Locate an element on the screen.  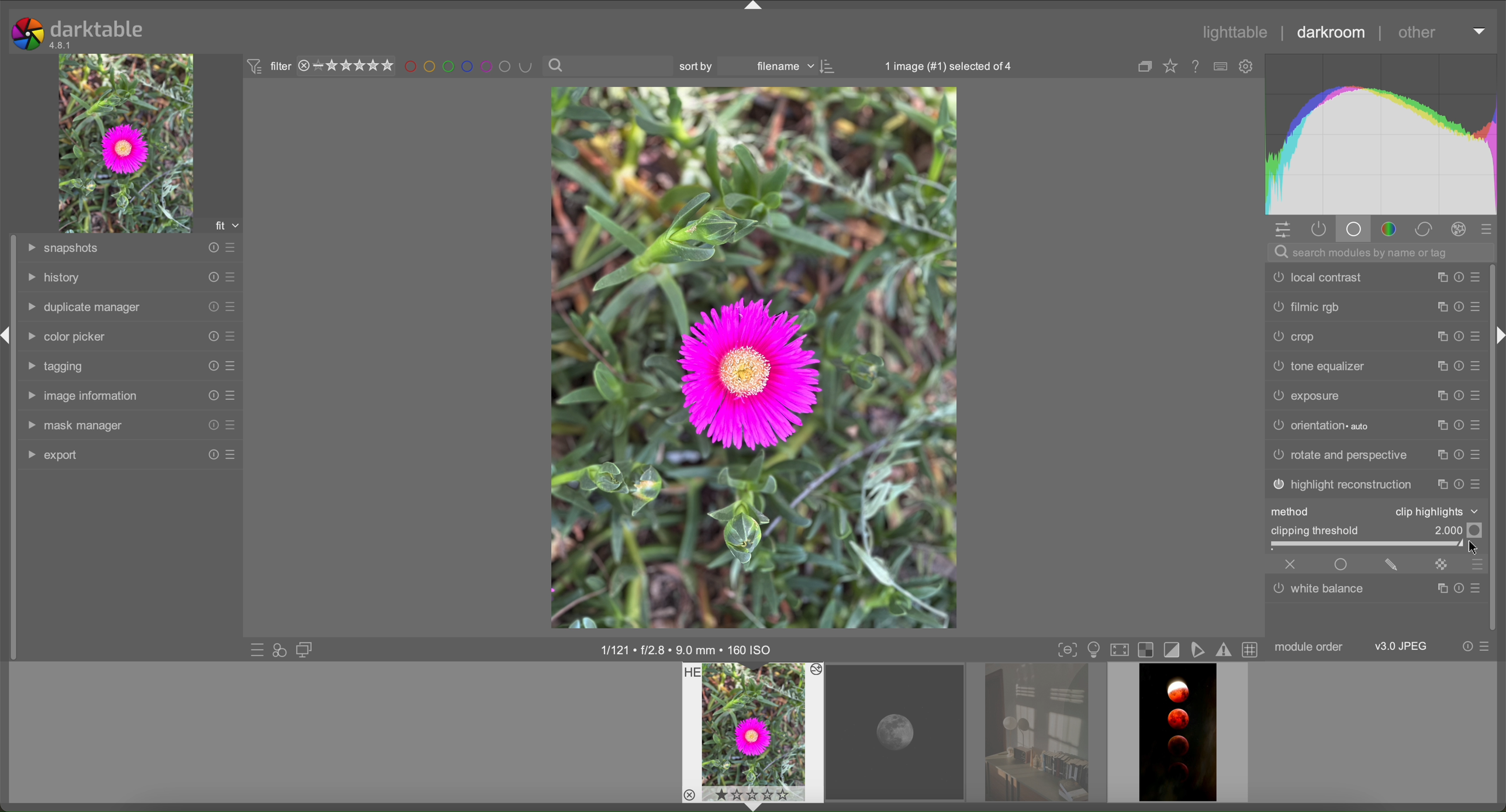
1 image selected of 4 is located at coordinates (942, 65).